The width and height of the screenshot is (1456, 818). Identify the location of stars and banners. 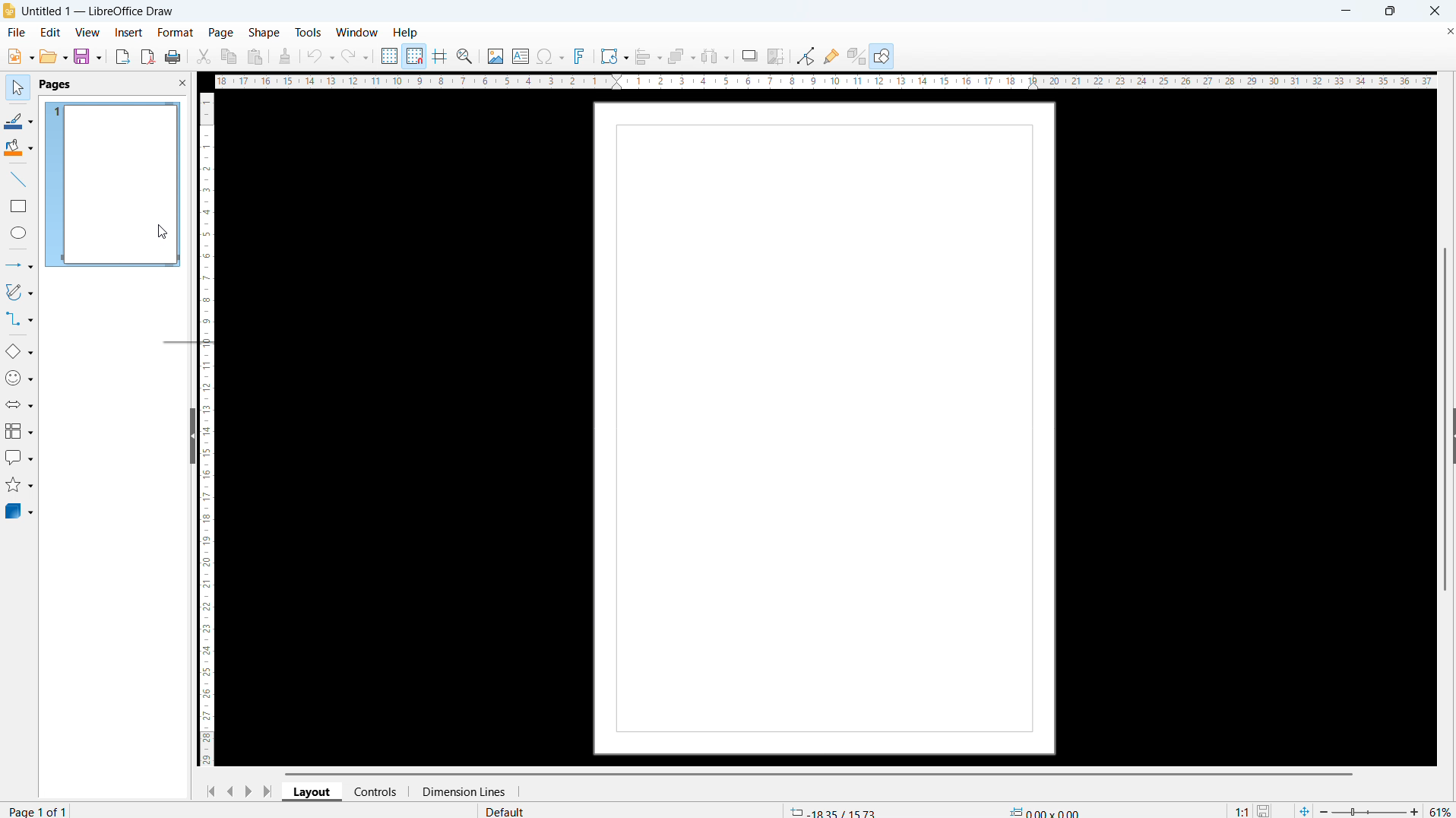
(20, 487).